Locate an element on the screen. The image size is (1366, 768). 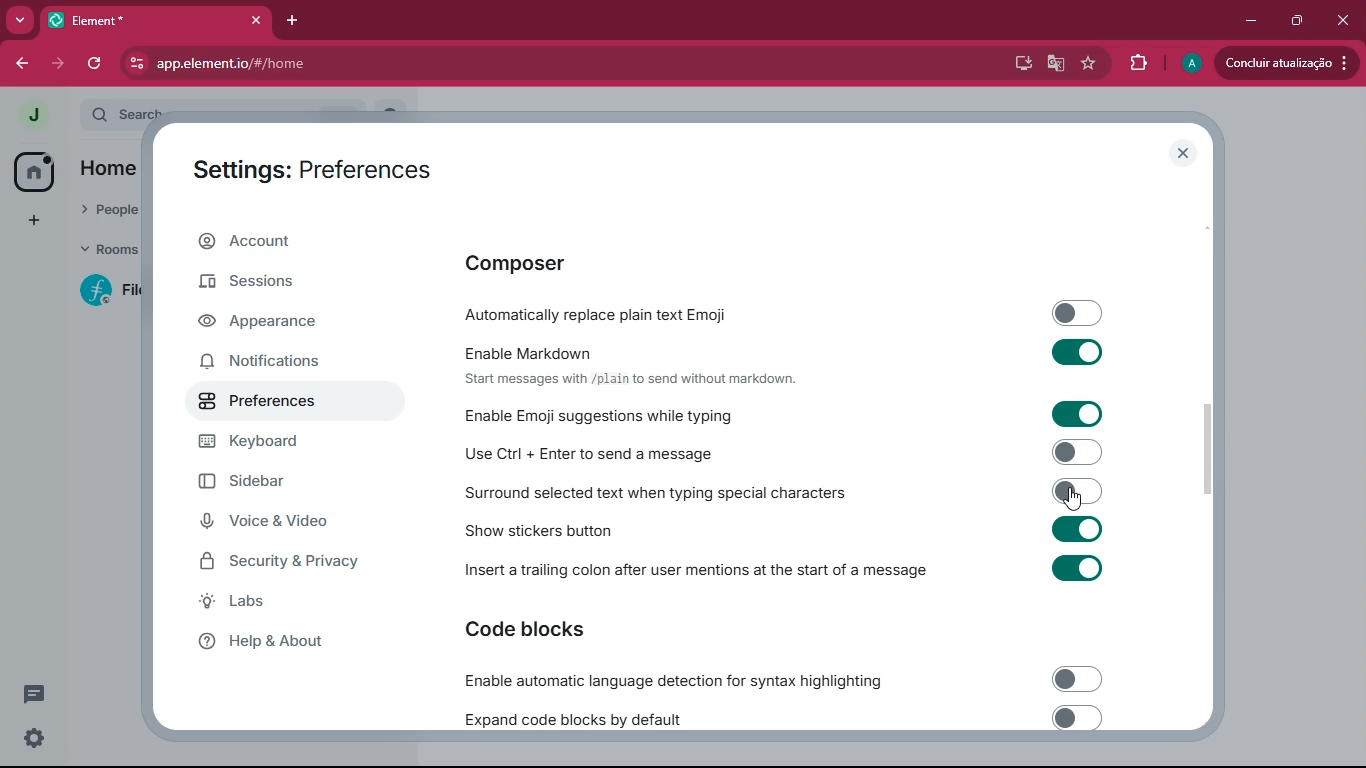
appearance is located at coordinates (268, 325).